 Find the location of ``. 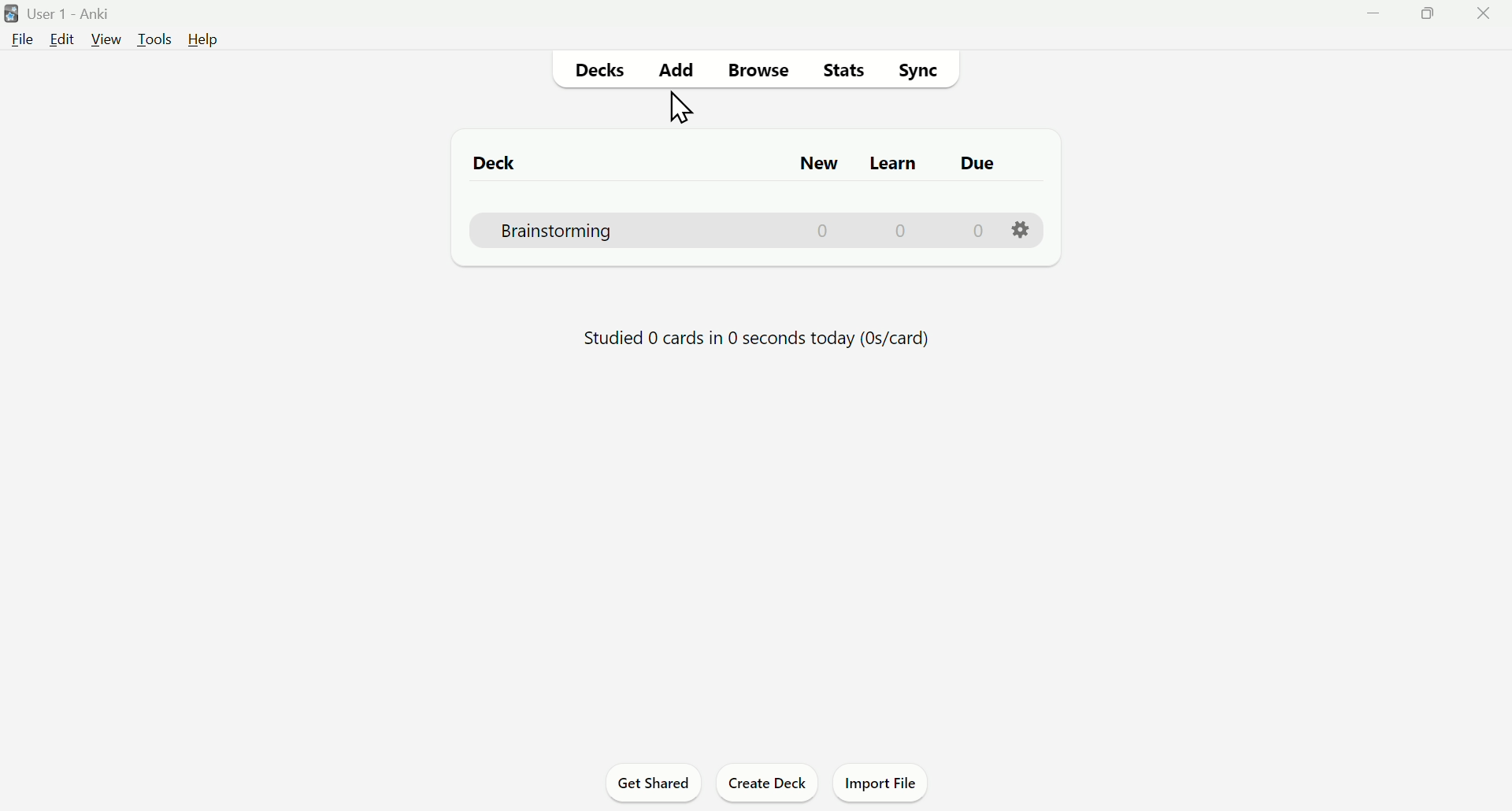

 is located at coordinates (105, 36).